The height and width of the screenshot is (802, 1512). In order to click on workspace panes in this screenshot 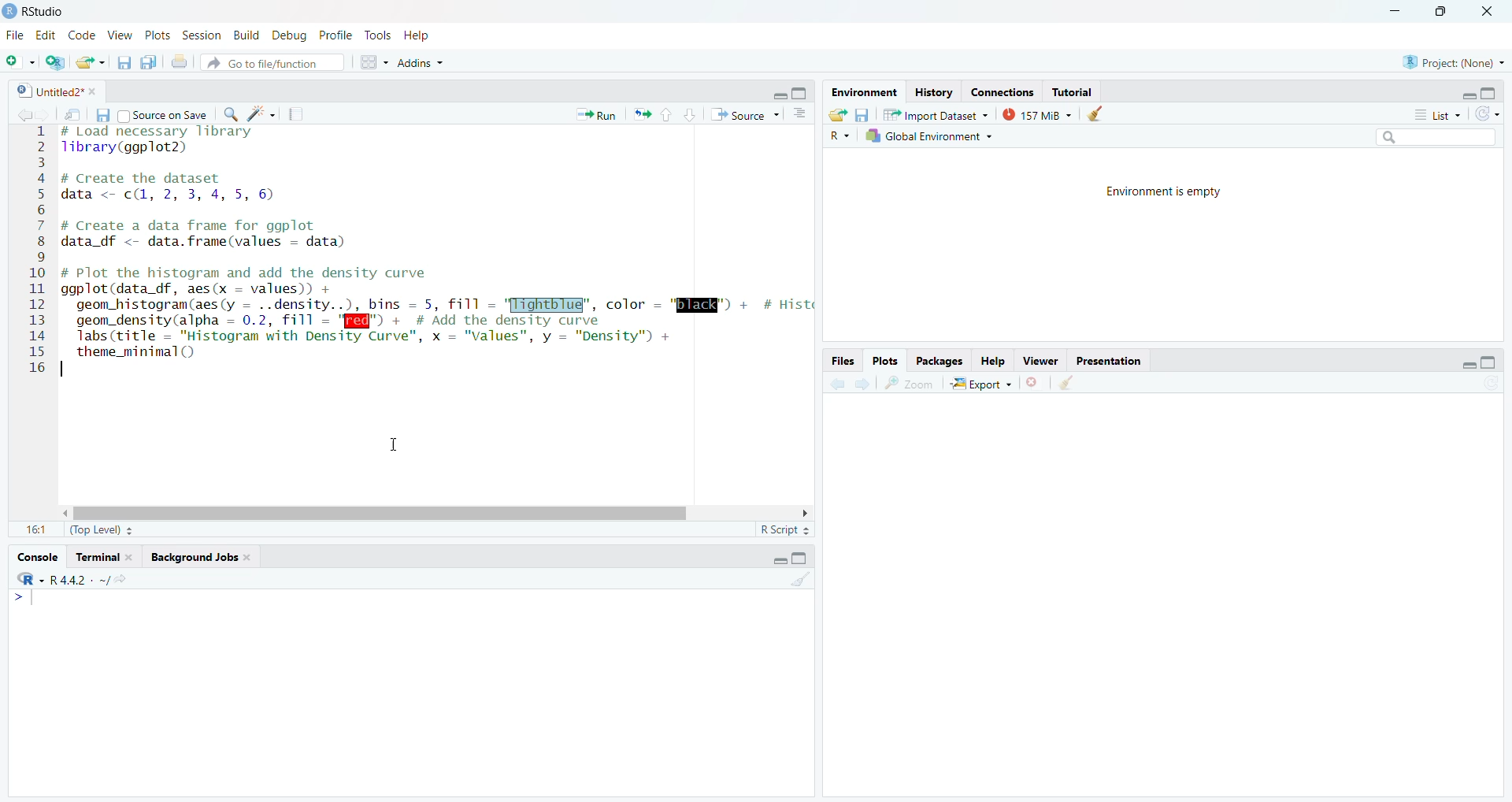, I will do `click(377, 61)`.